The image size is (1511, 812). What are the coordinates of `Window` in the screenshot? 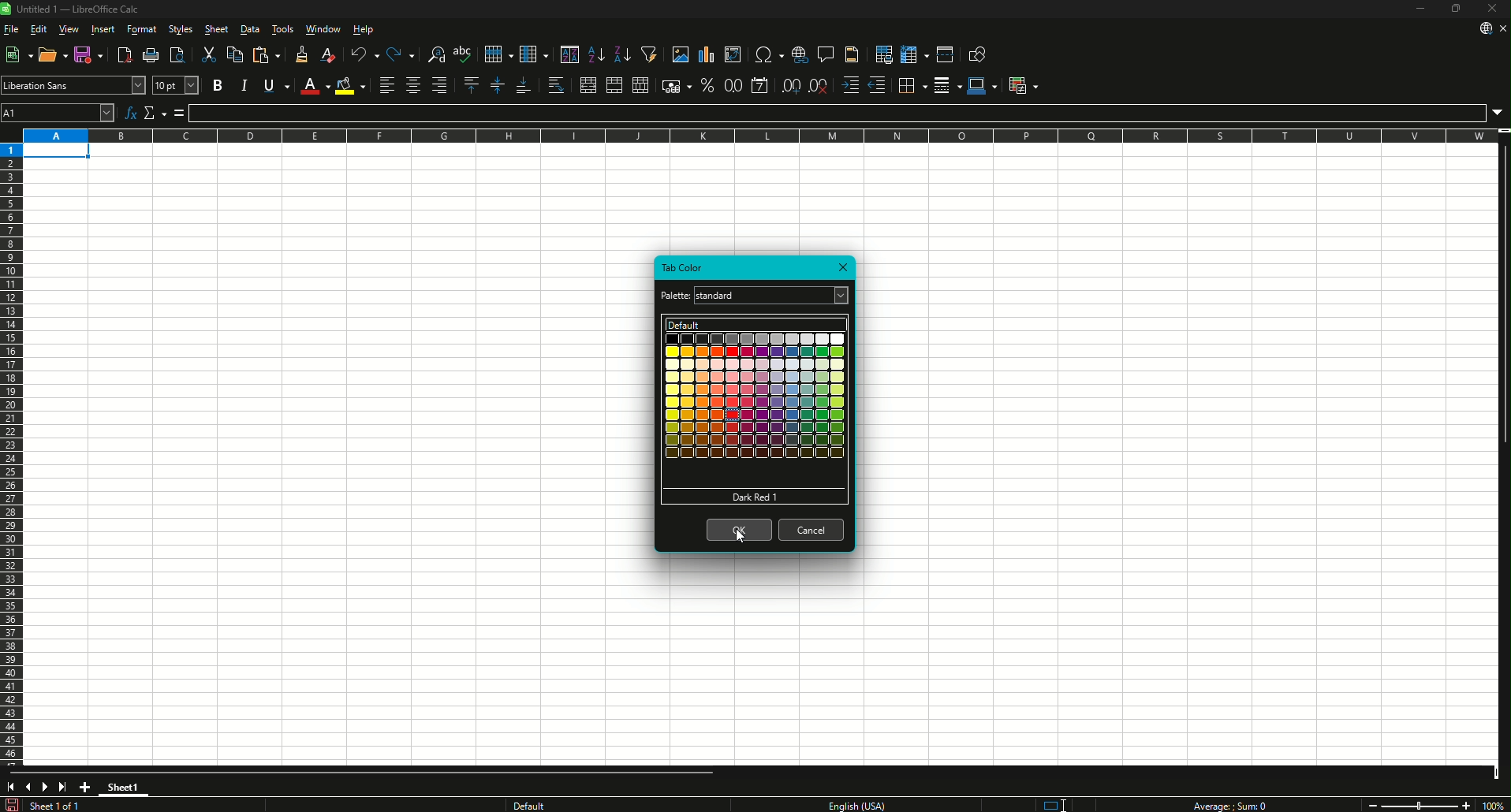 It's located at (324, 28).